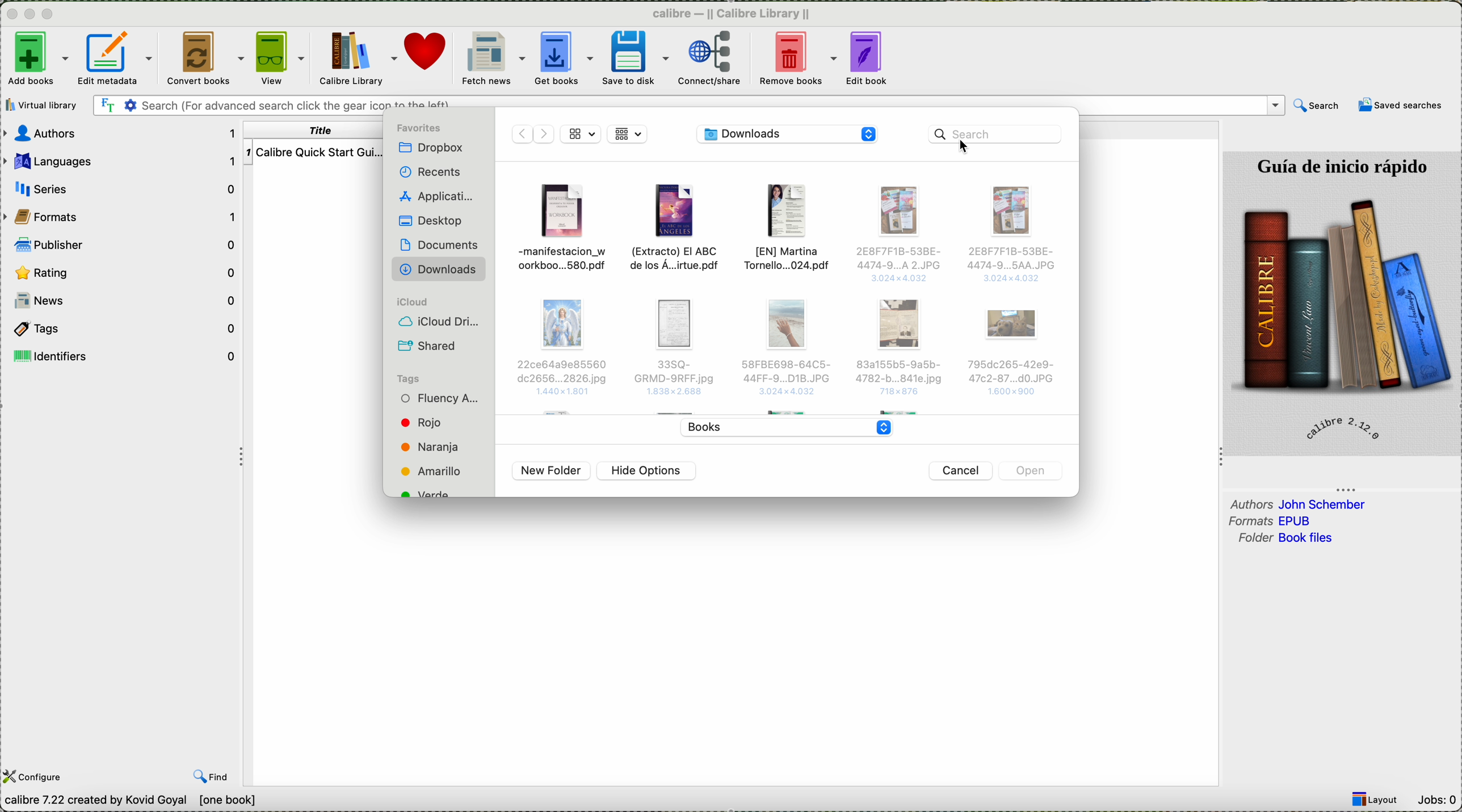 The height and width of the screenshot is (812, 1462). What do you see at coordinates (787, 228) in the screenshot?
I see `file` at bounding box center [787, 228].